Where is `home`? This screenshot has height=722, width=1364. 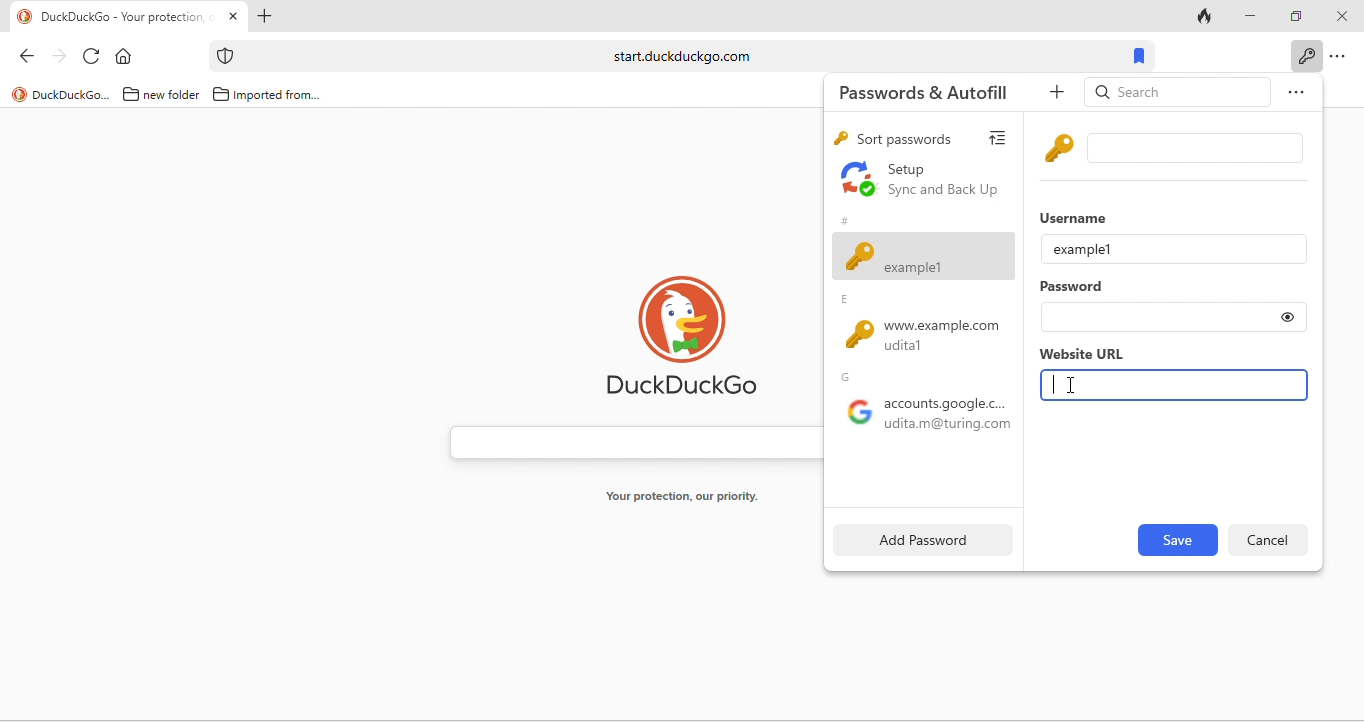 home is located at coordinates (128, 55).